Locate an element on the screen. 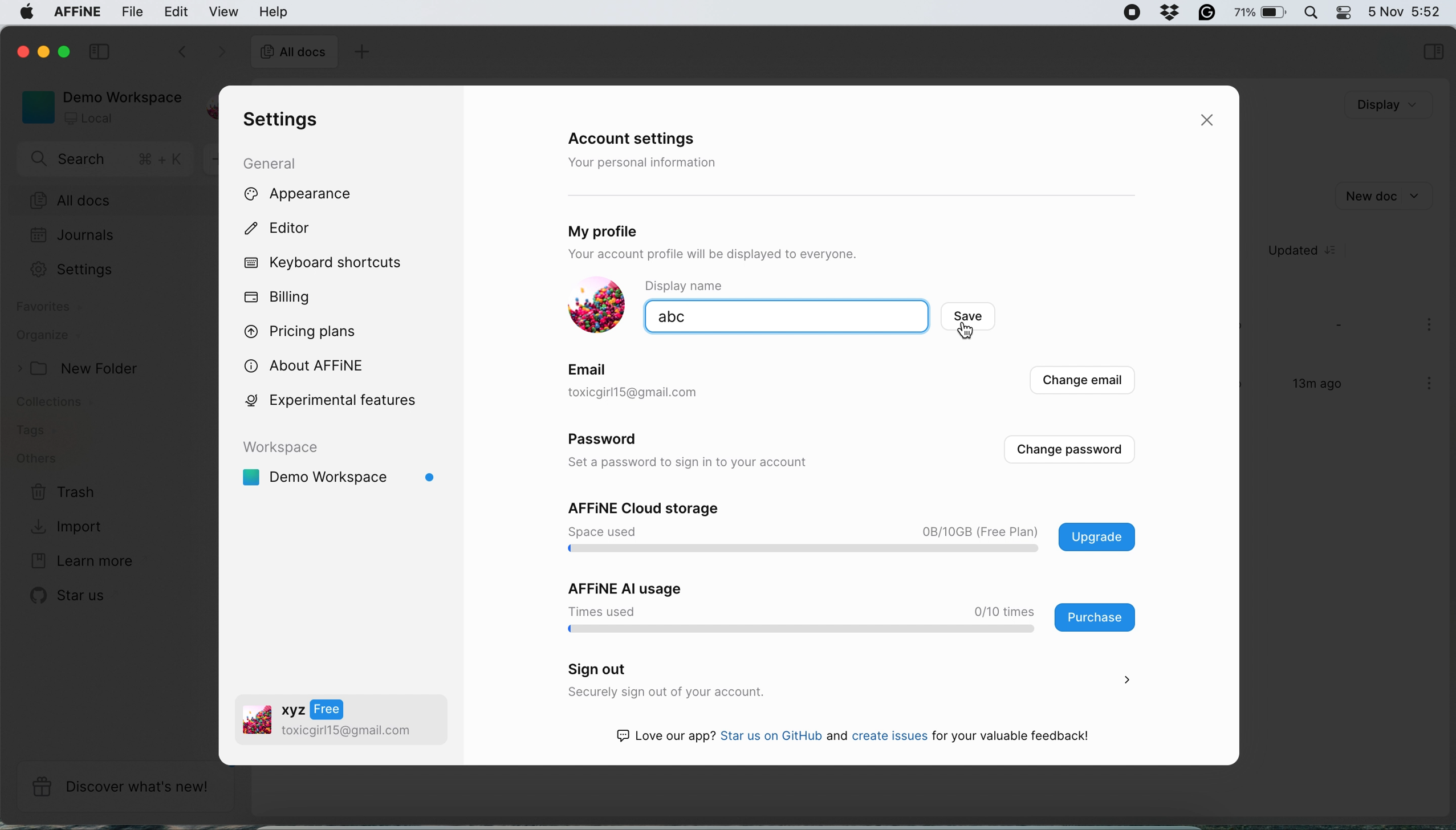  others is located at coordinates (36, 459).